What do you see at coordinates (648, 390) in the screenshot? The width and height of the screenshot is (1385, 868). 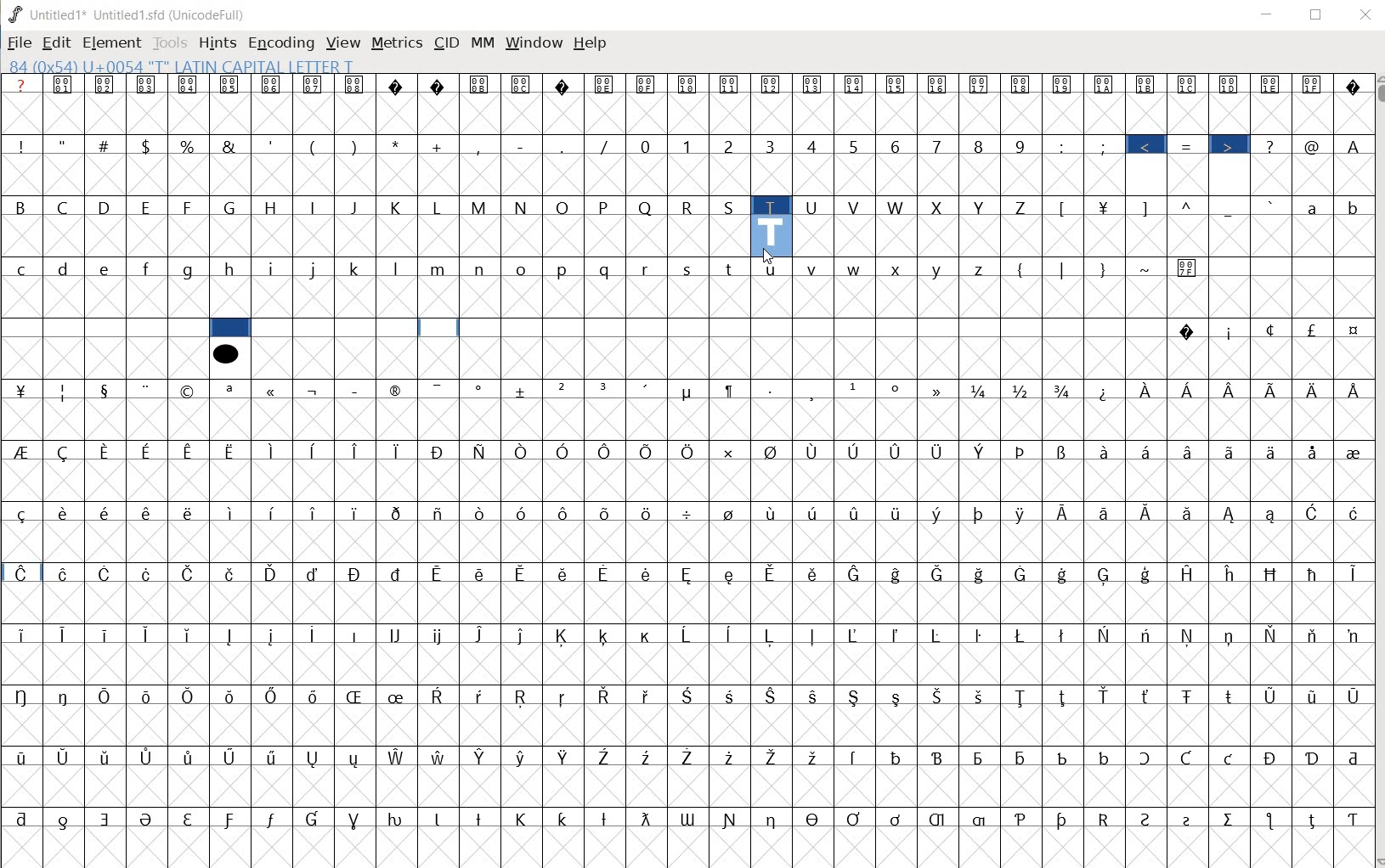 I see `Symbol` at bounding box center [648, 390].